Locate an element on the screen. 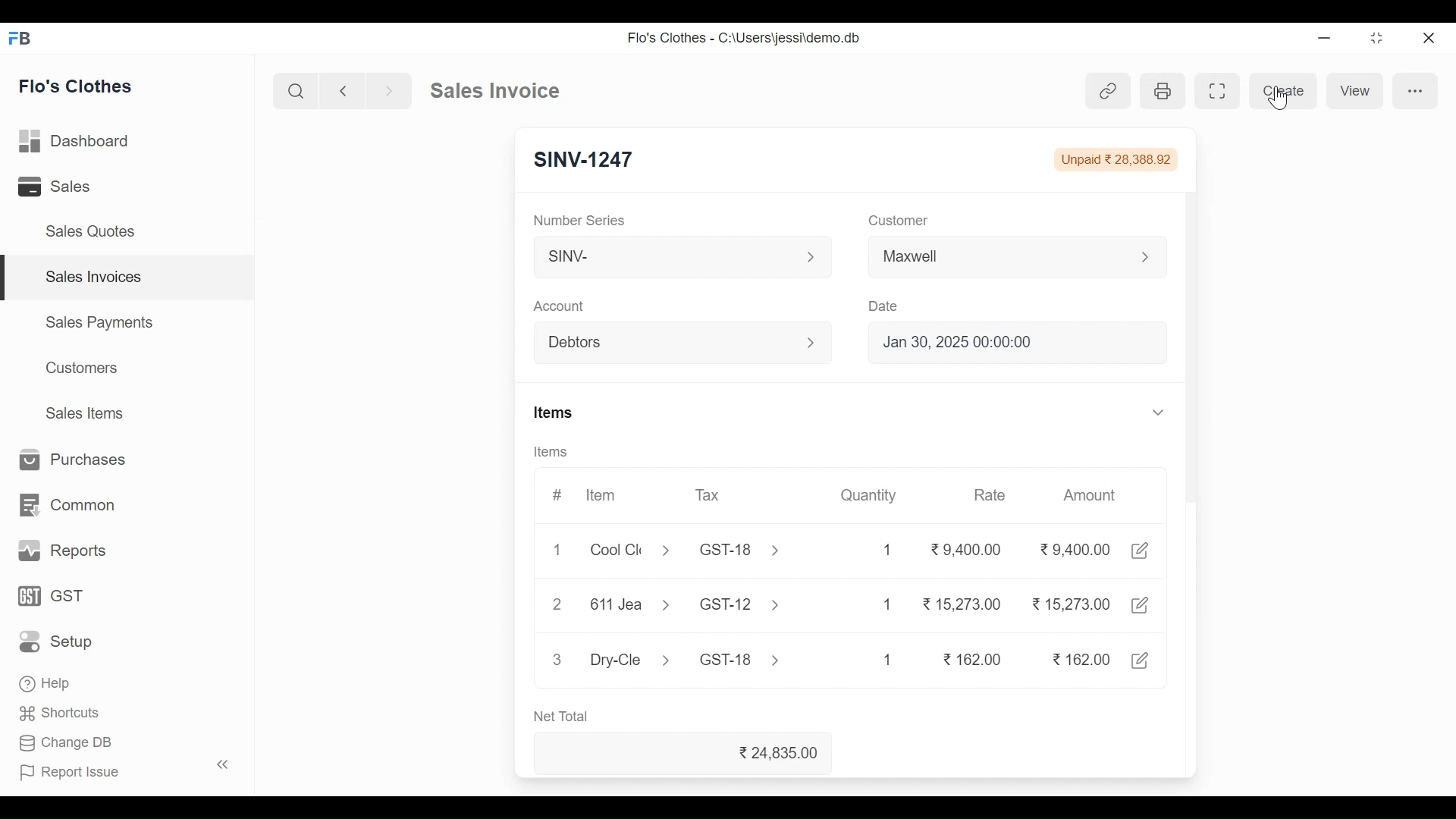  Number Series is located at coordinates (585, 219).